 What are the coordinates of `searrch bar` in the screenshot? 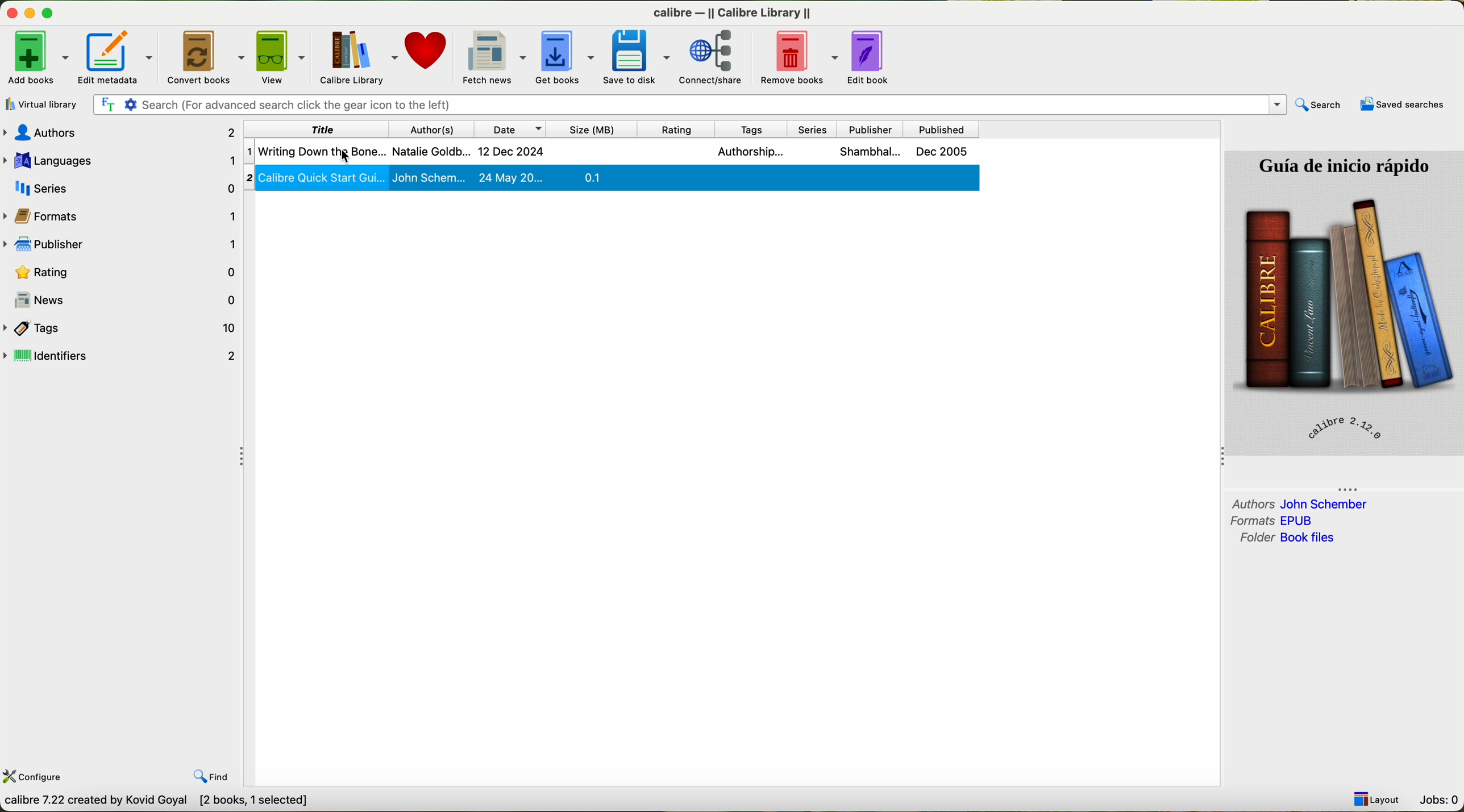 It's located at (693, 104).